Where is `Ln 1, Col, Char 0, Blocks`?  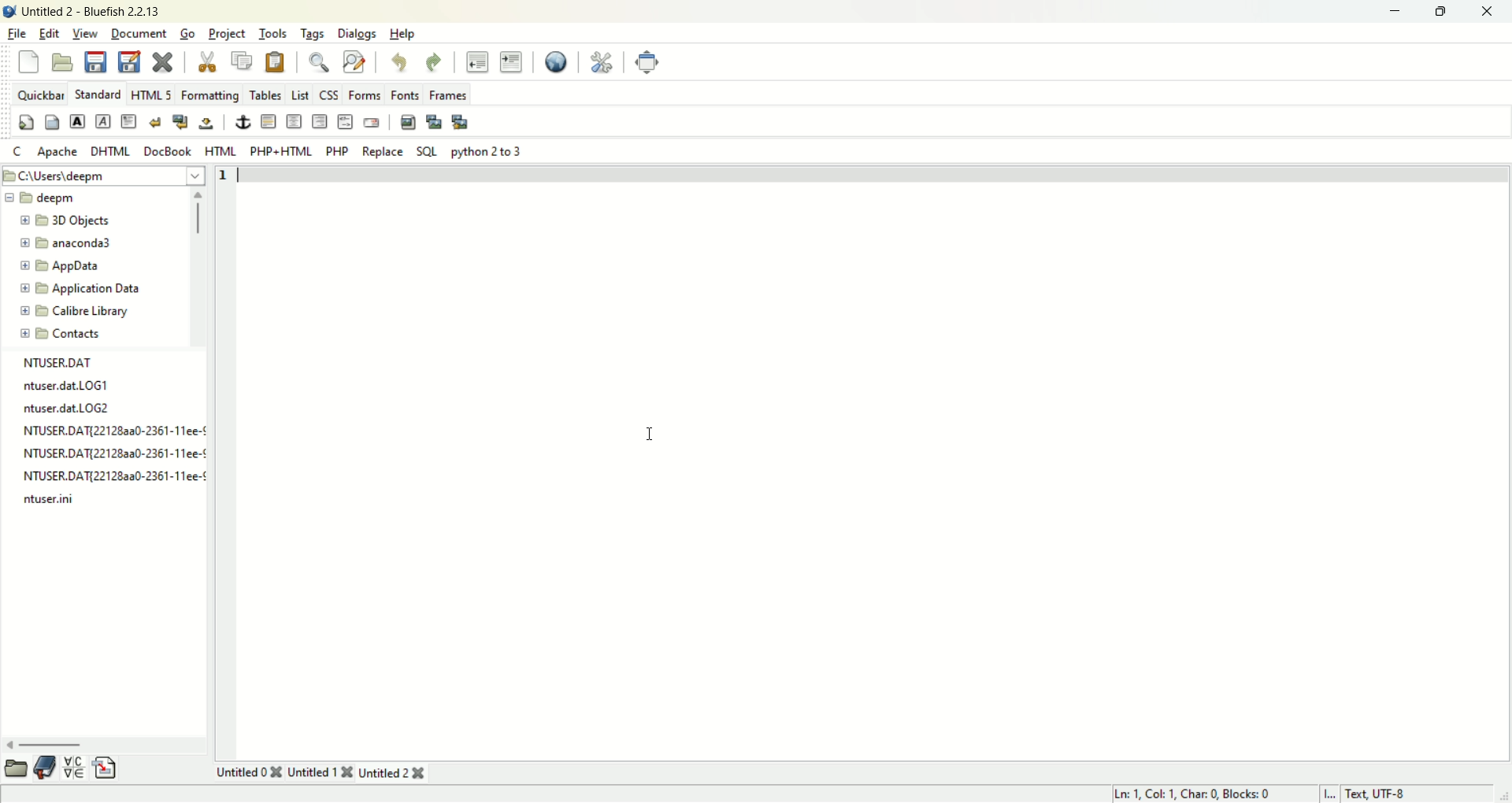 Ln 1, Col, Char 0, Blocks is located at coordinates (1196, 793).